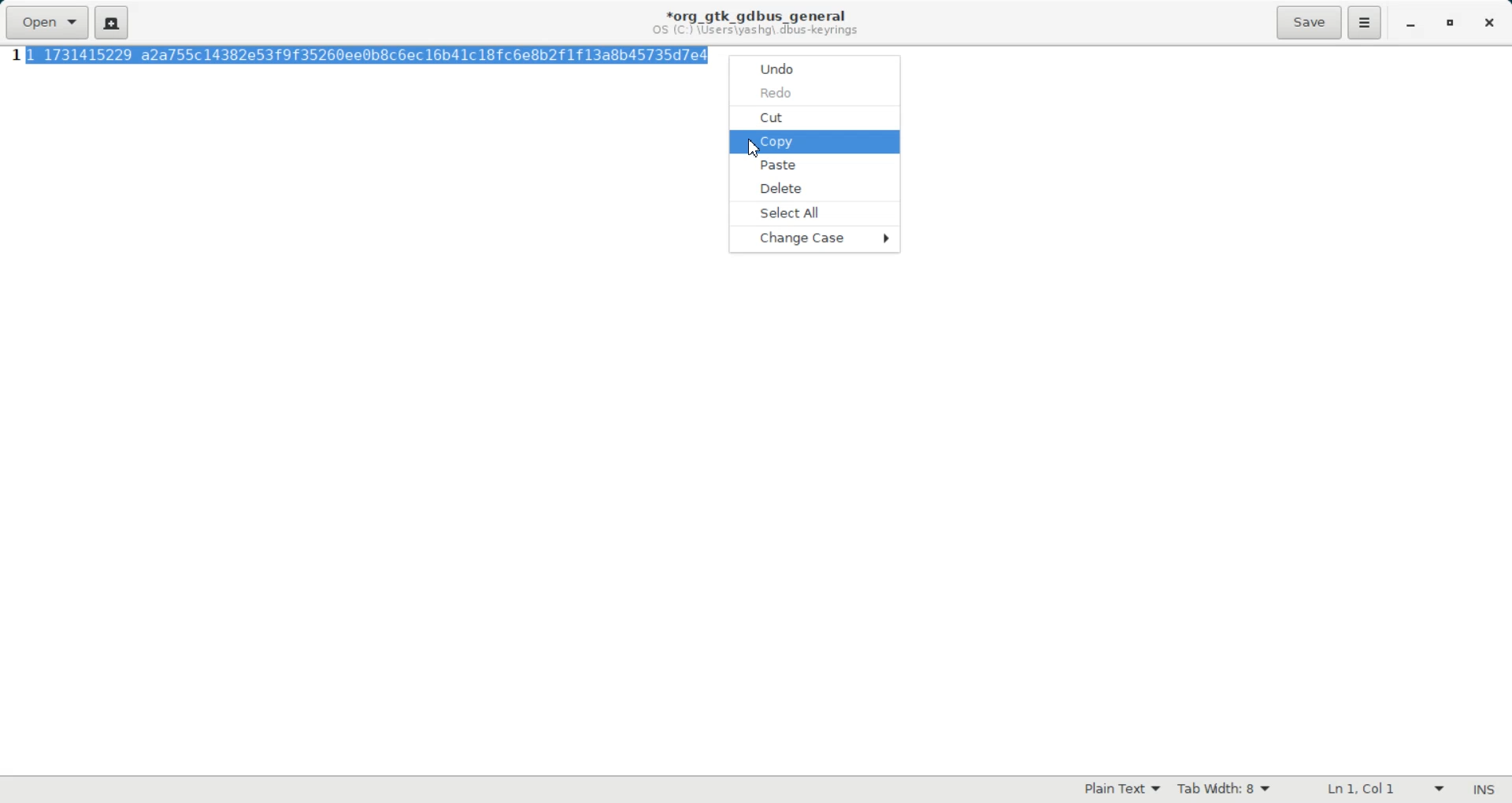  What do you see at coordinates (1410, 24) in the screenshot?
I see `Minimize` at bounding box center [1410, 24].